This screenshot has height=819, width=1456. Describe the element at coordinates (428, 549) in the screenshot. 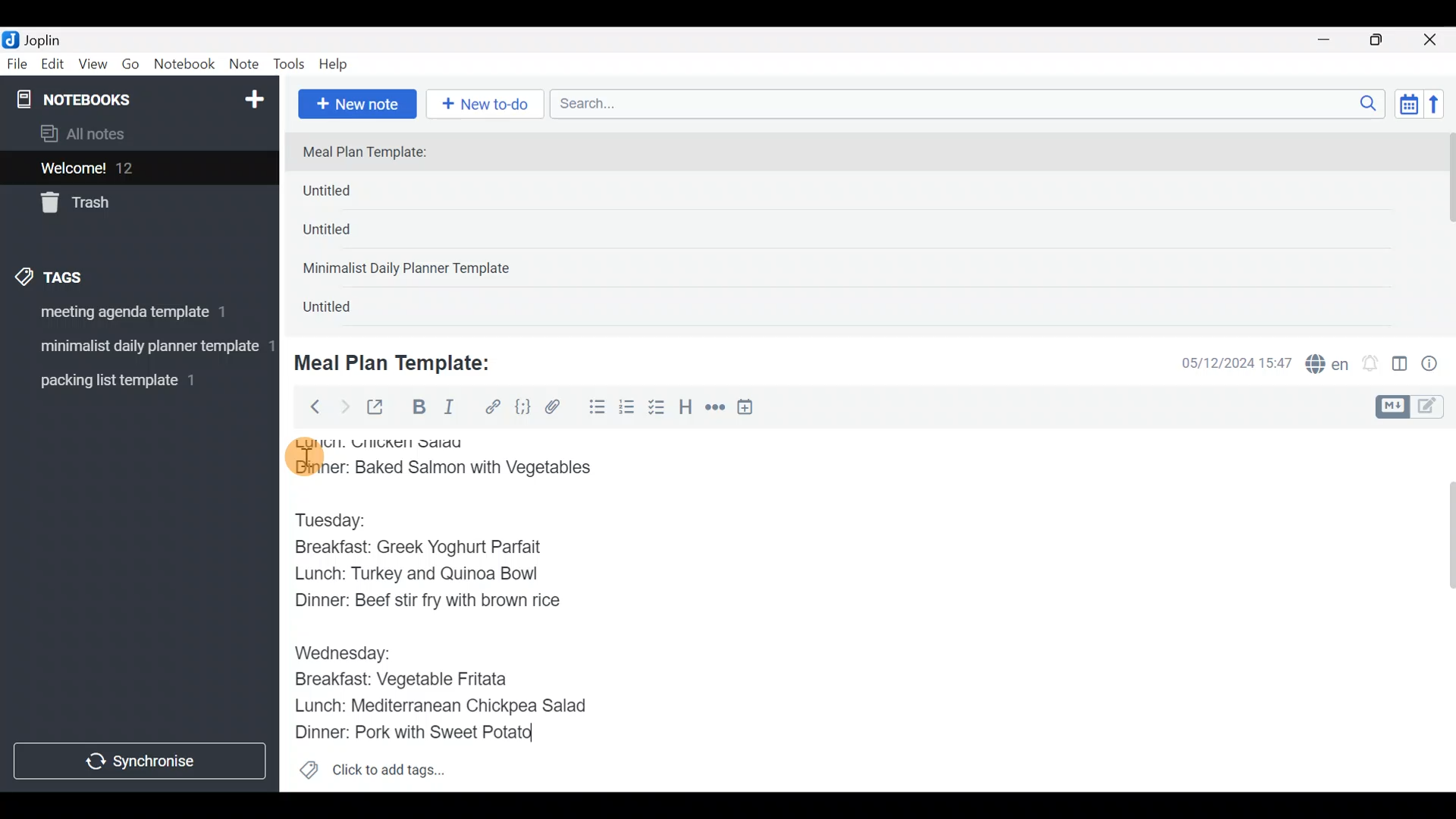

I see `Breakfast: Greek Yoghurt Parfait` at that location.